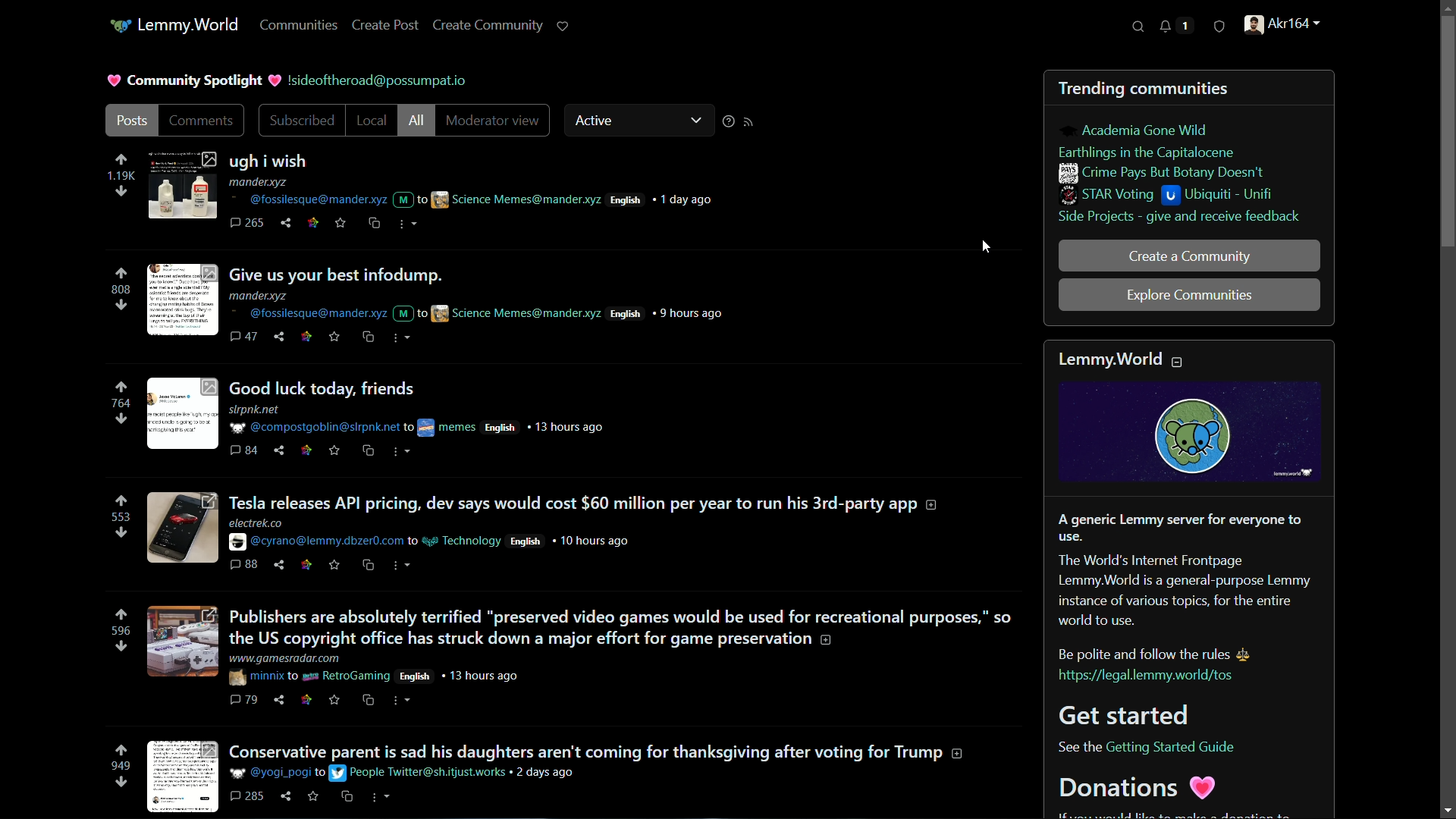 This screenshot has height=819, width=1456. Describe the element at coordinates (287, 658) in the screenshot. I see `www.gamesradar.com` at that location.